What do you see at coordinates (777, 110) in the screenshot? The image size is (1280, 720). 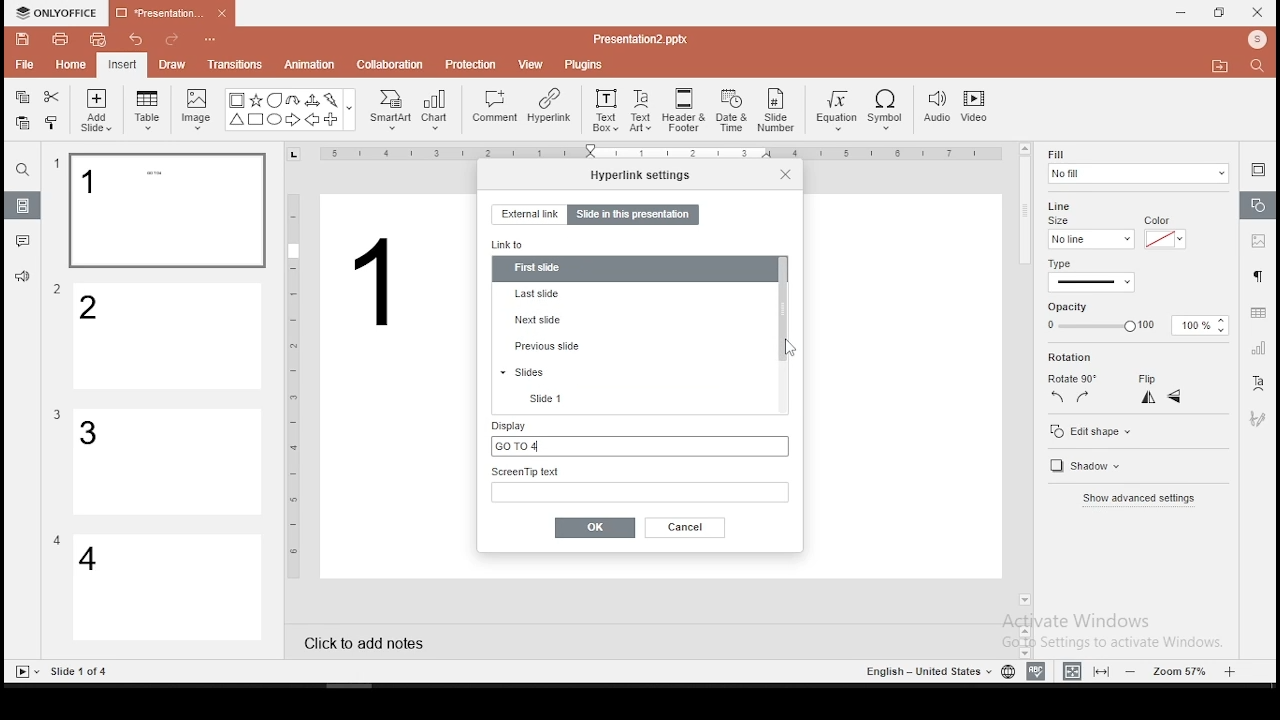 I see `slide number` at bounding box center [777, 110].